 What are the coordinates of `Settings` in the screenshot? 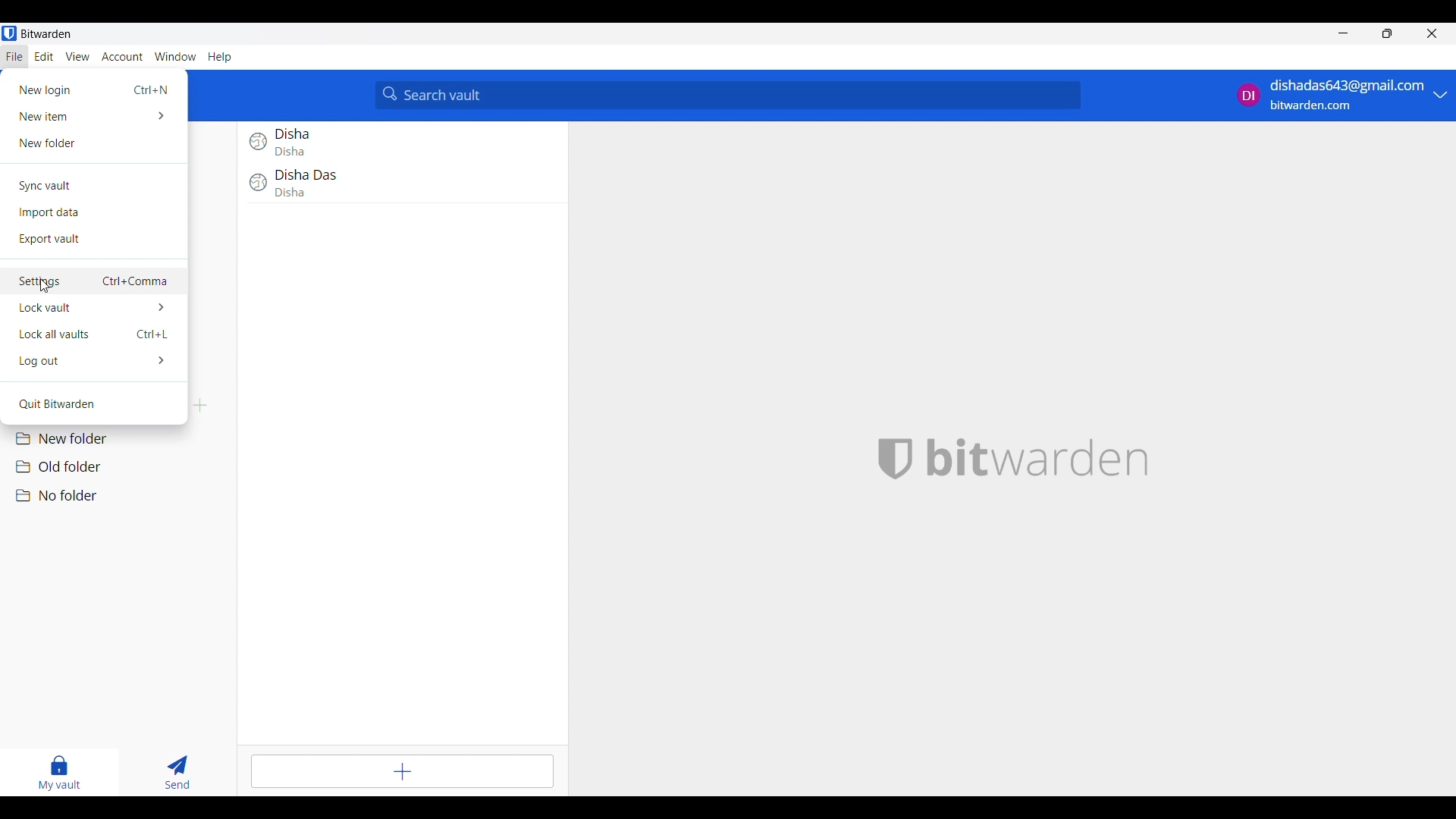 It's located at (93, 281).